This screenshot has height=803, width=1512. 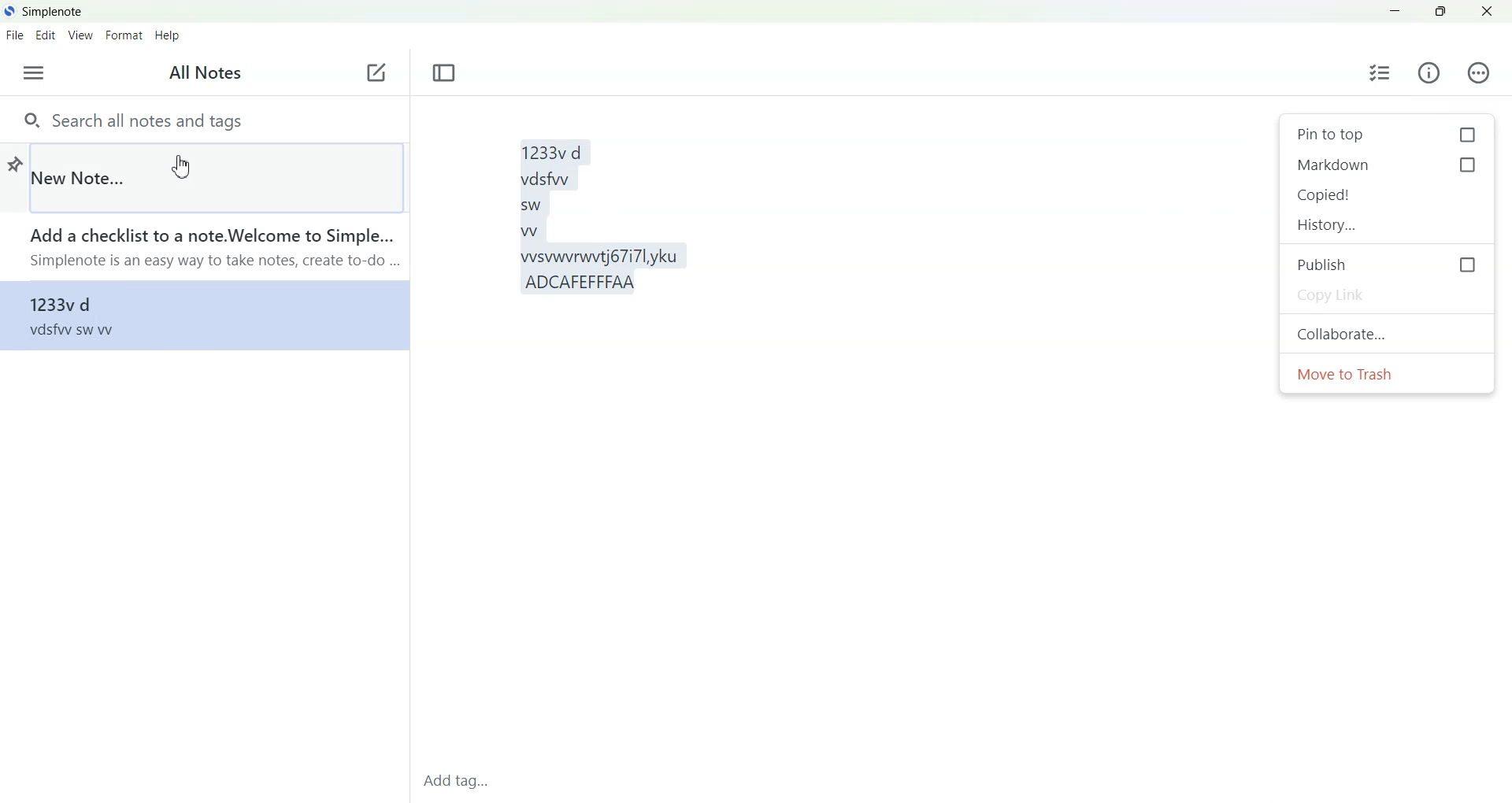 What do you see at coordinates (1388, 225) in the screenshot?
I see `History` at bounding box center [1388, 225].